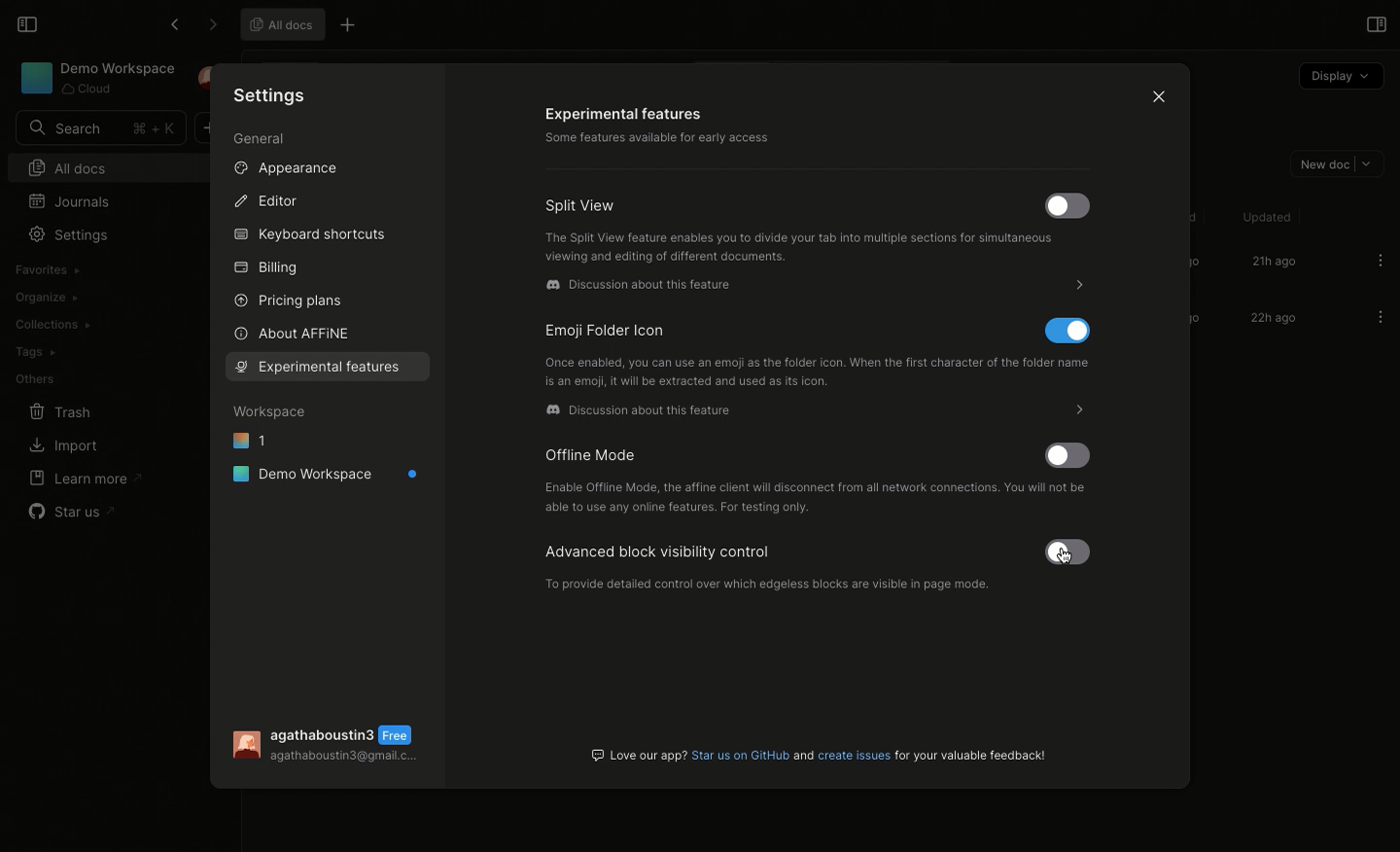 The width and height of the screenshot is (1400, 852). What do you see at coordinates (332, 746) in the screenshot?
I see `User` at bounding box center [332, 746].